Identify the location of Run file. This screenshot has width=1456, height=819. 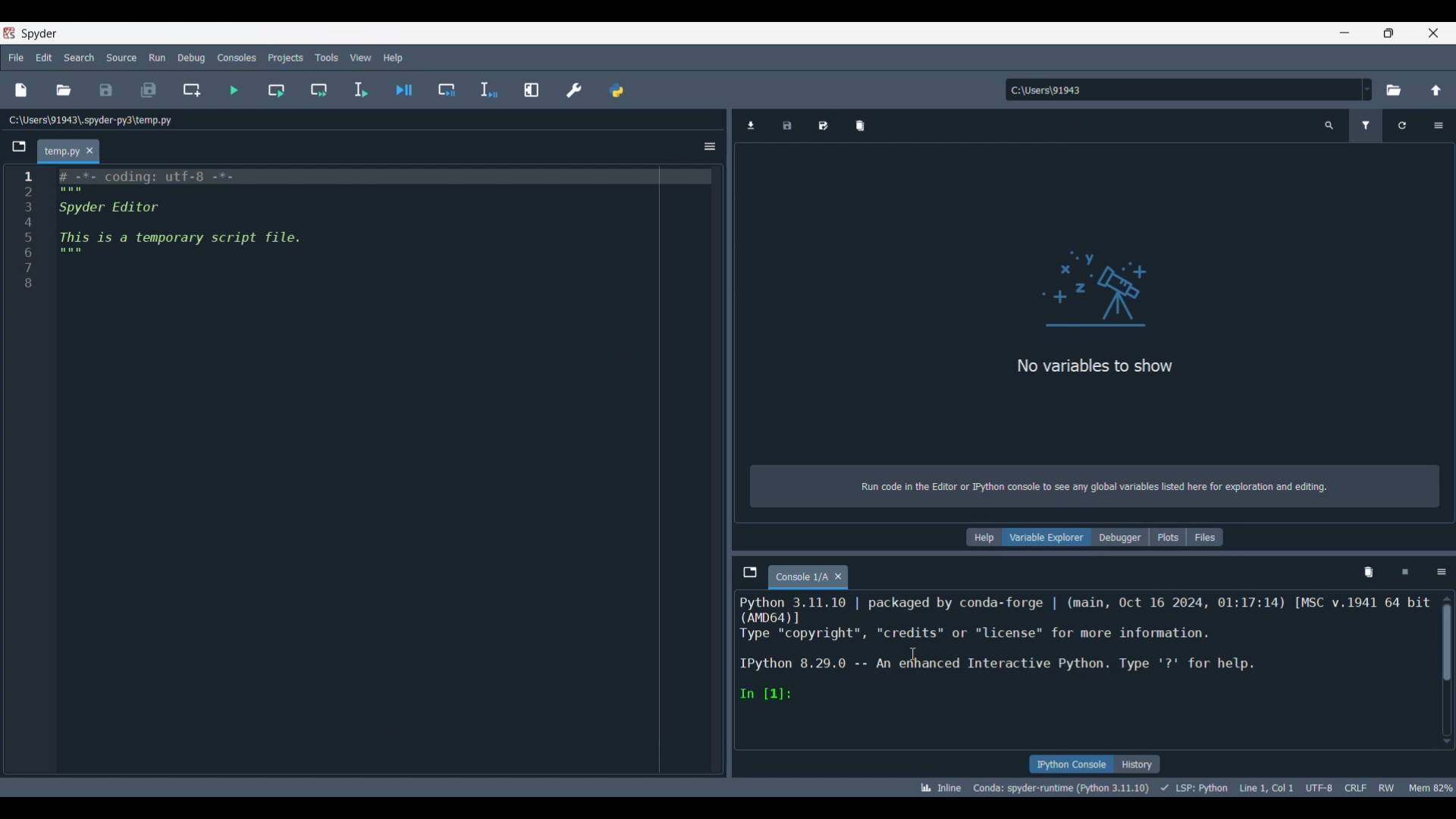
(234, 90).